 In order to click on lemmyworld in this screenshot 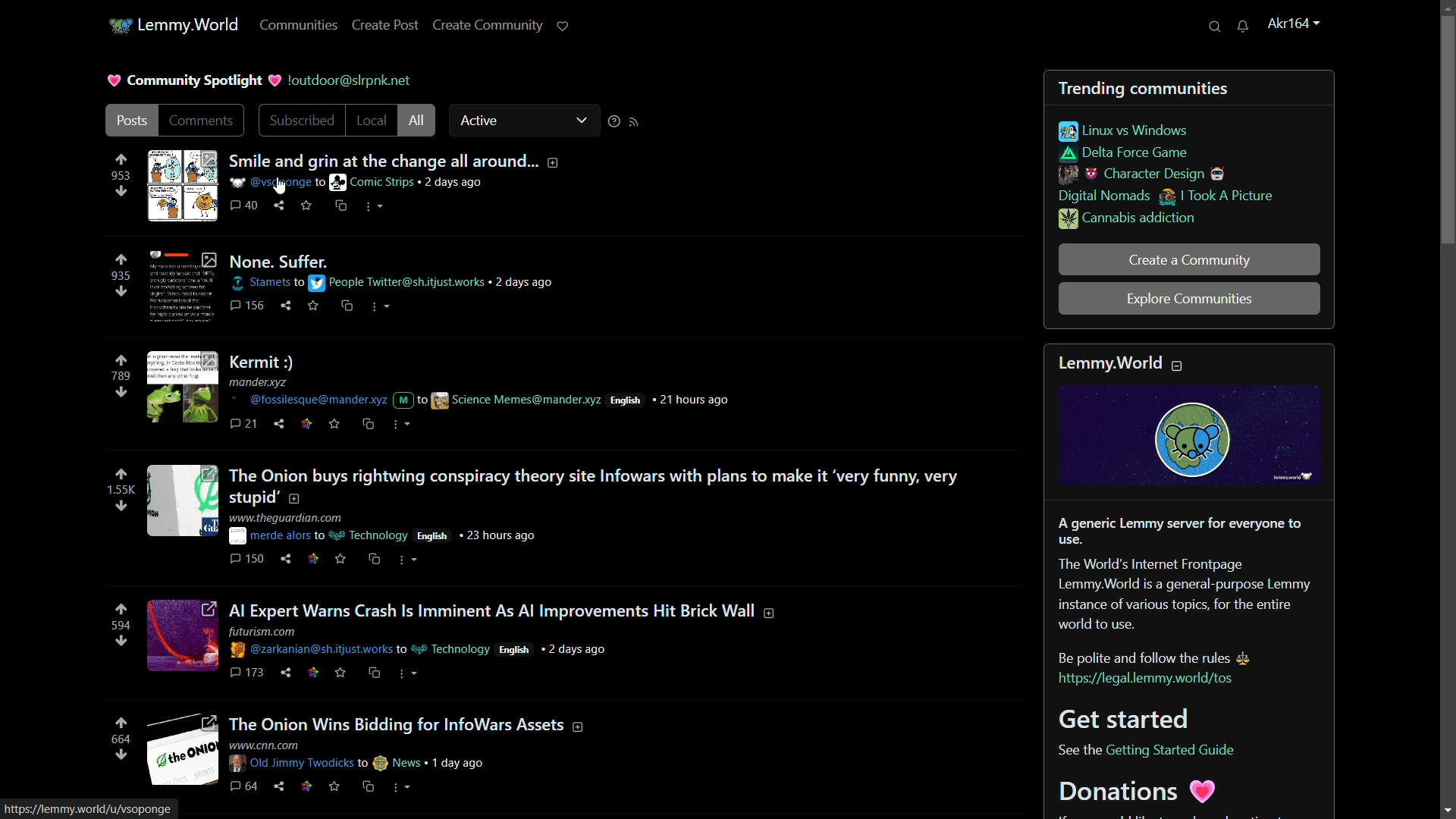, I will do `click(1116, 365)`.